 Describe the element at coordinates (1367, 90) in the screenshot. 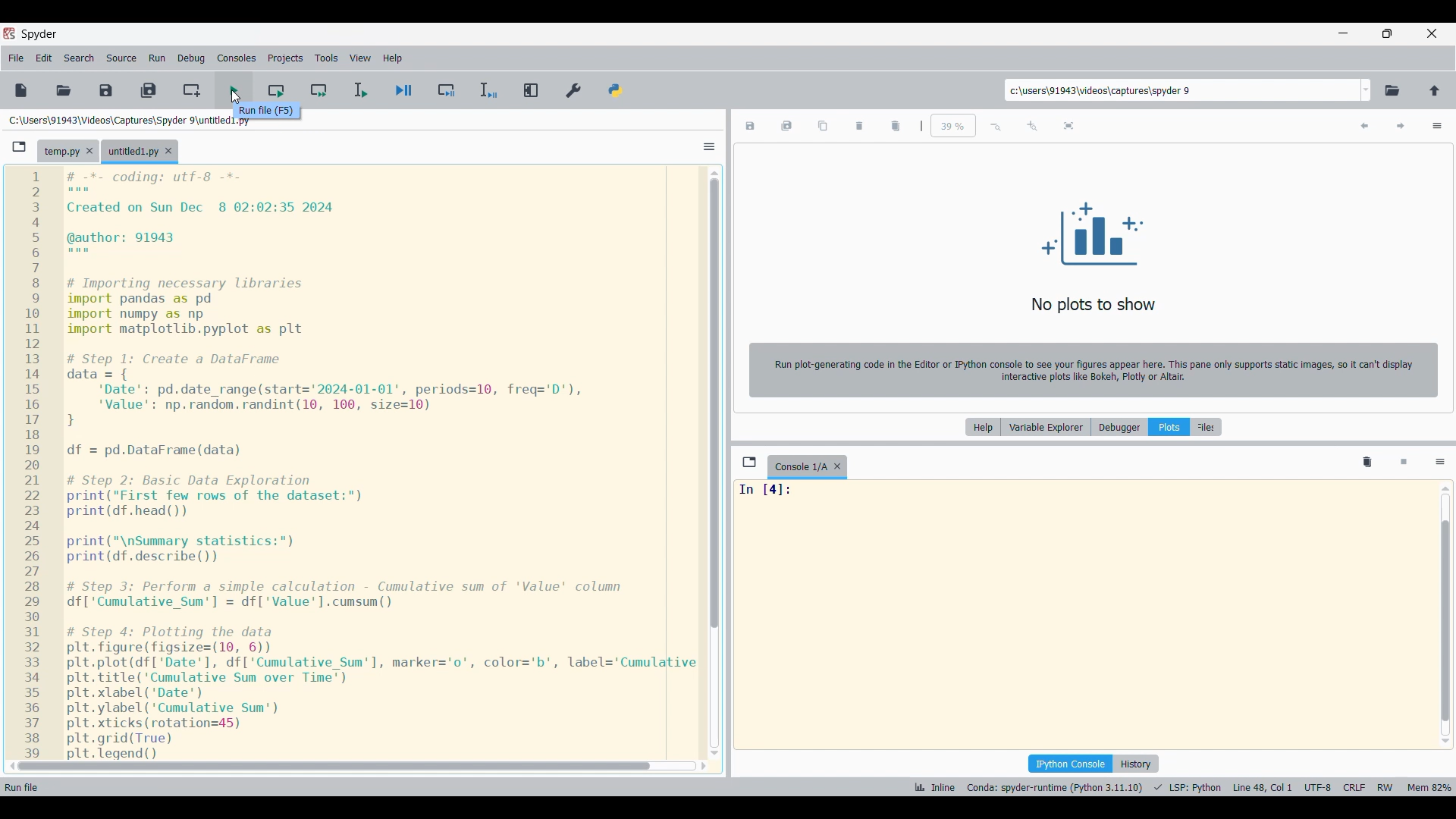

I see `Folder location options` at that location.